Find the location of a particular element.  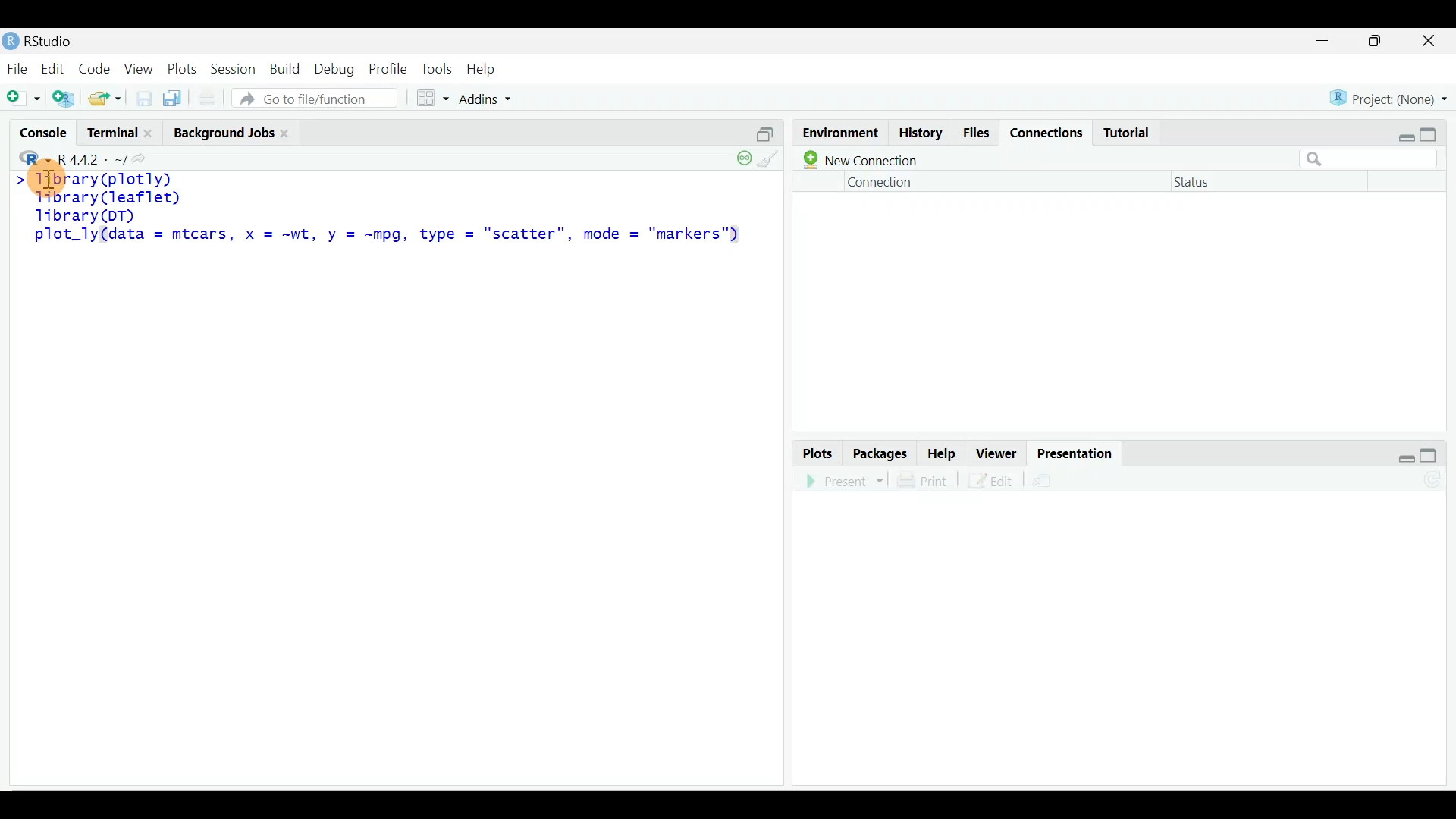

Edit is located at coordinates (55, 67).